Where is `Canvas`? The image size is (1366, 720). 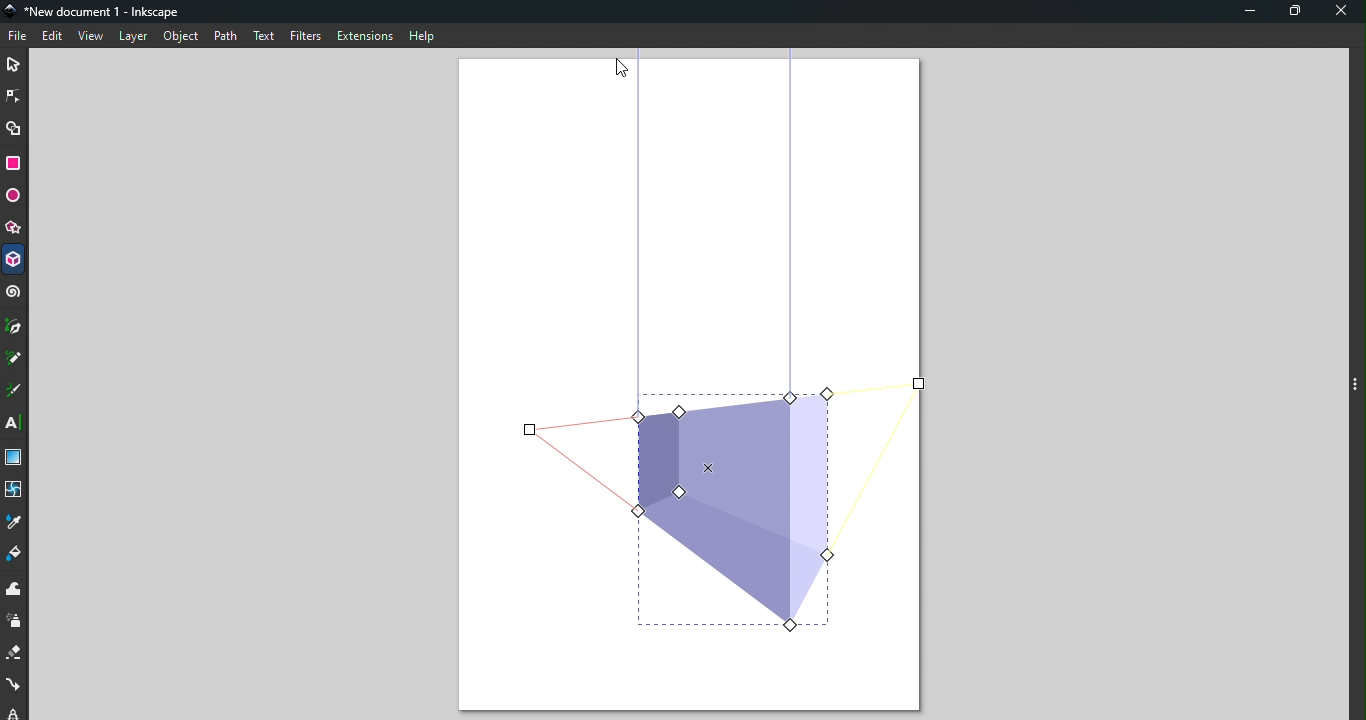
Canvas is located at coordinates (688, 218).